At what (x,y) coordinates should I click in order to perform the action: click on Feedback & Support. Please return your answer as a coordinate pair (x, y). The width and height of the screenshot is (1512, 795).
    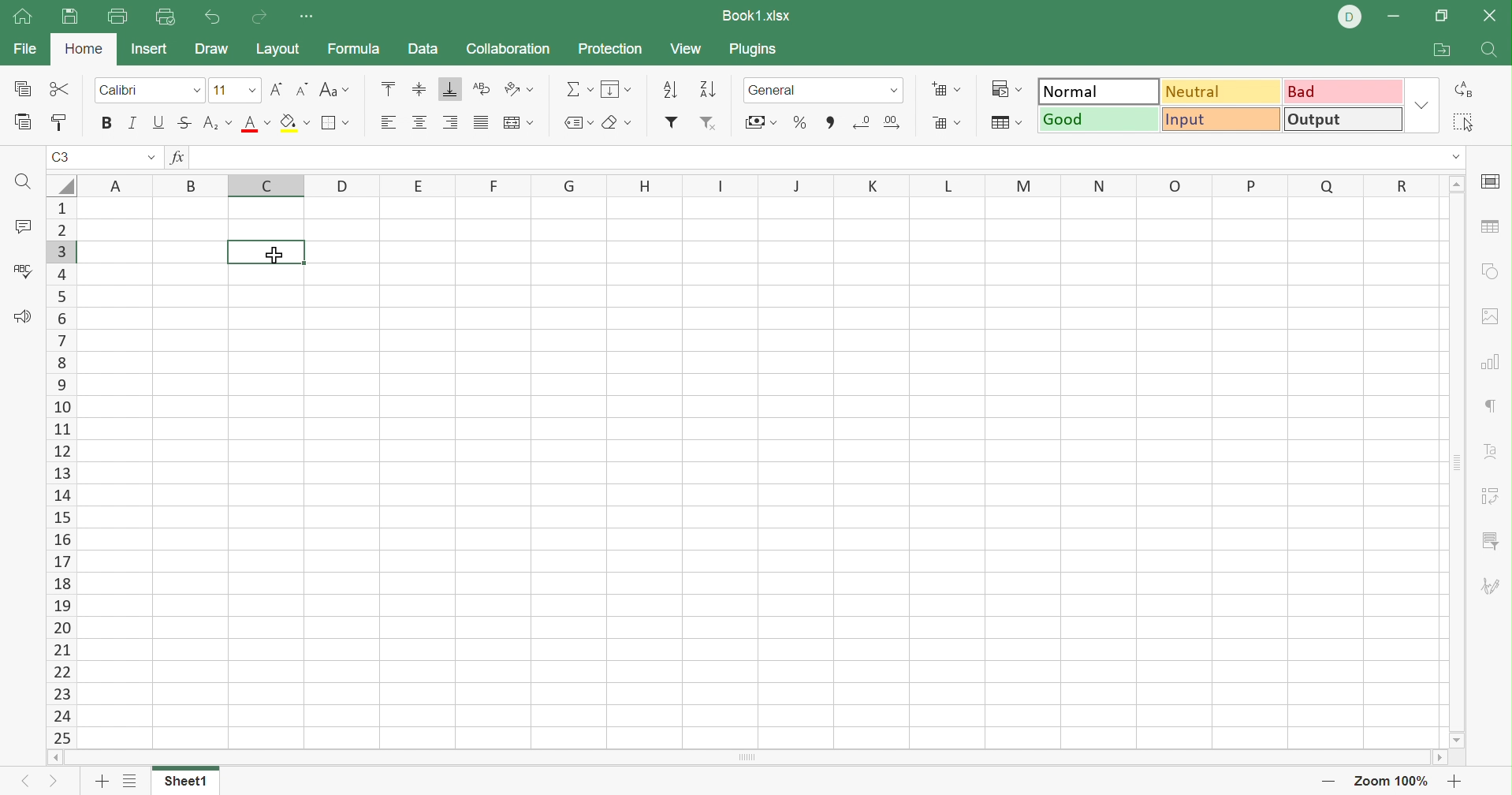
    Looking at the image, I should click on (24, 319).